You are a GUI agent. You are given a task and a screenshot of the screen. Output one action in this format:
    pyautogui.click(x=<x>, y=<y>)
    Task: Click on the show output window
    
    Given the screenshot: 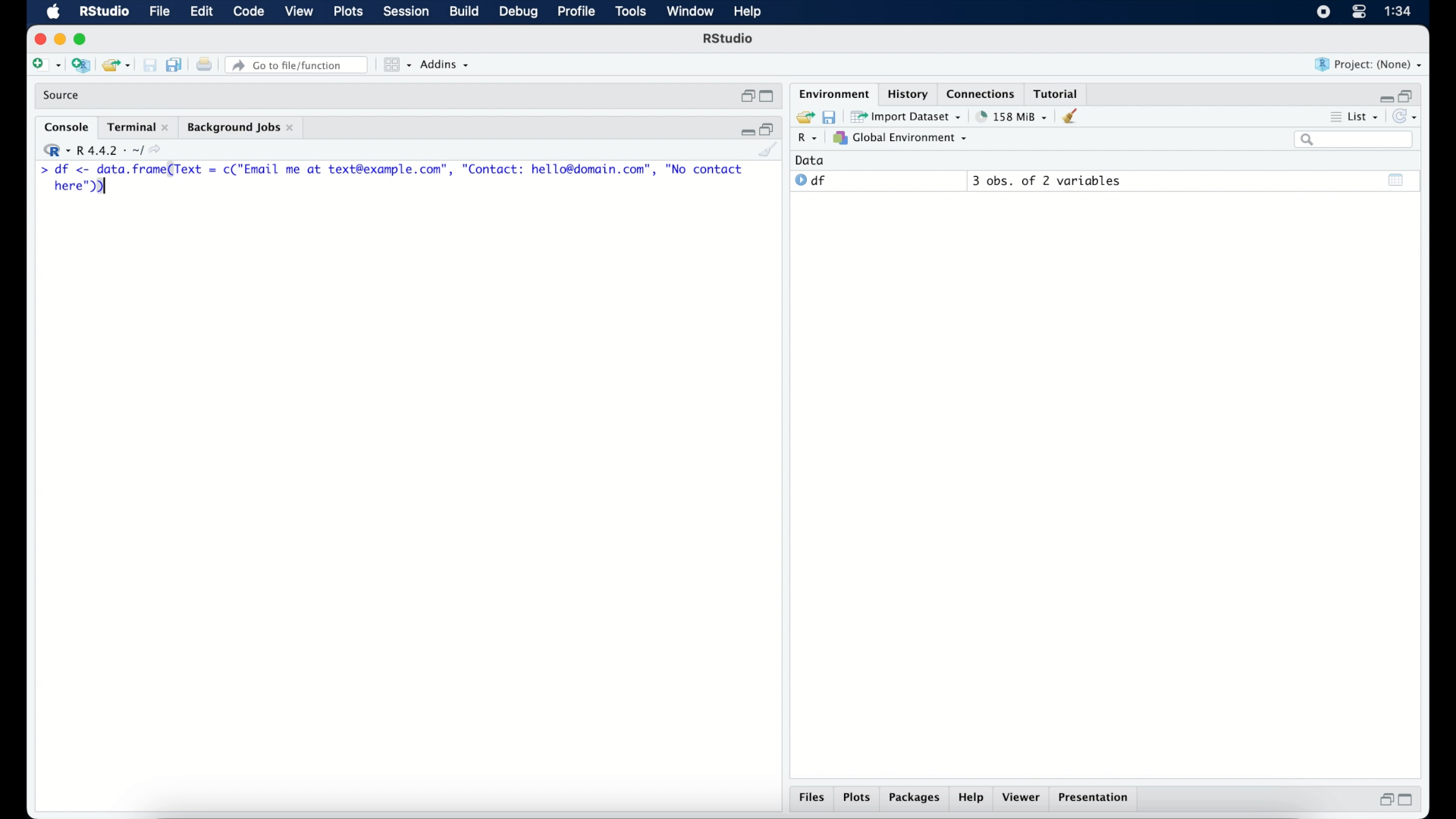 What is the action you would take?
    pyautogui.click(x=1396, y=181)
    